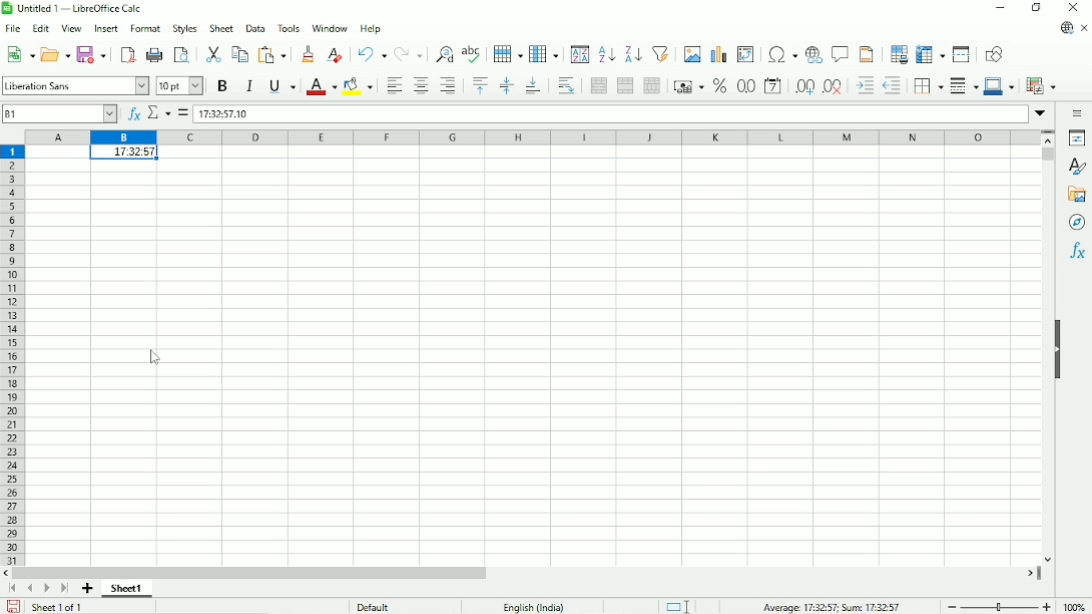 Image resolution: width=1092 pixels, height=614 pixels. I want to click on Show draw functions , so click(995, 54).